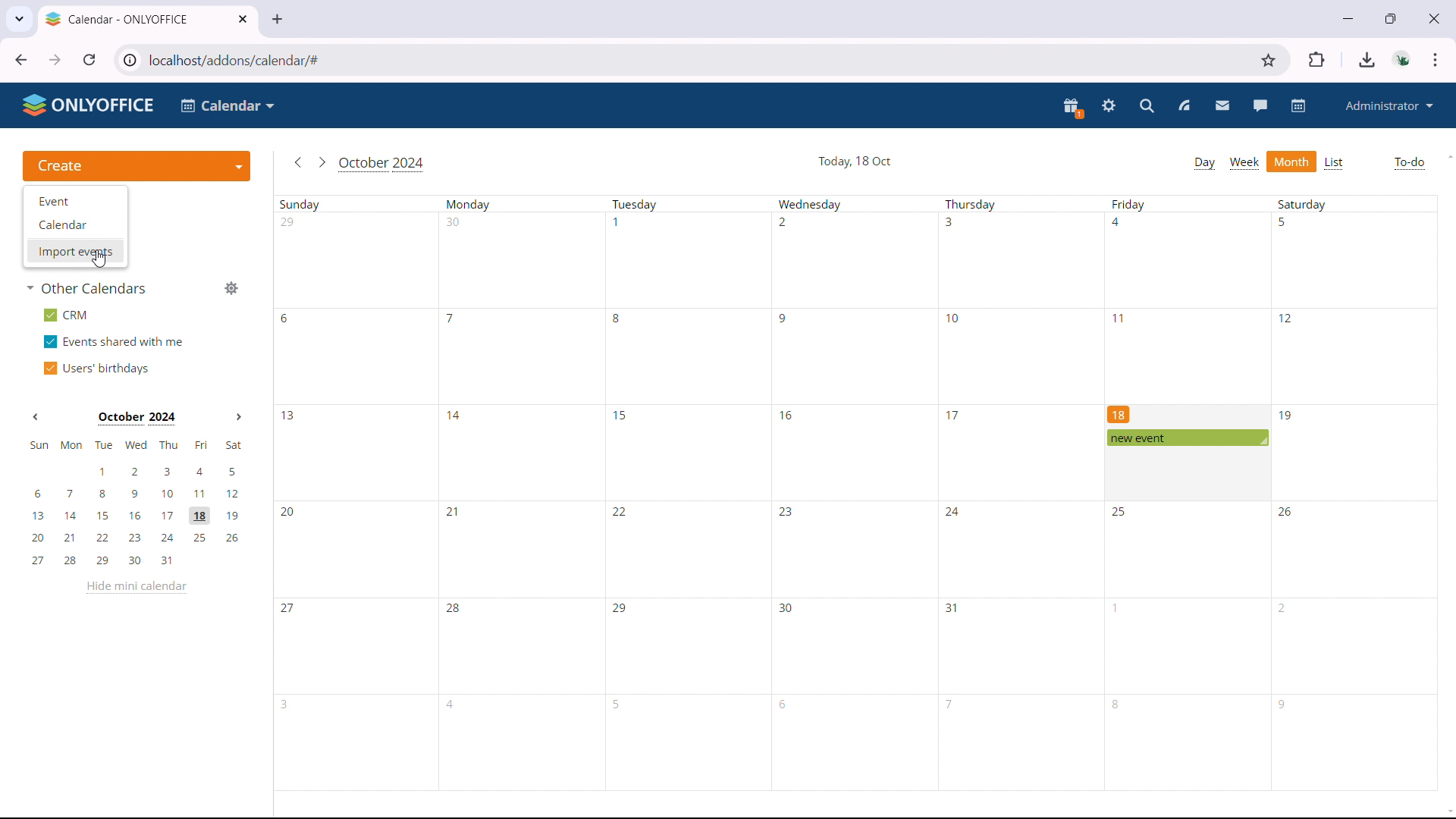 The width and height of the screenshot is (1456, 819). Describe the element at coordinates (288, 704) in the screenshot. I see `3` at that location.